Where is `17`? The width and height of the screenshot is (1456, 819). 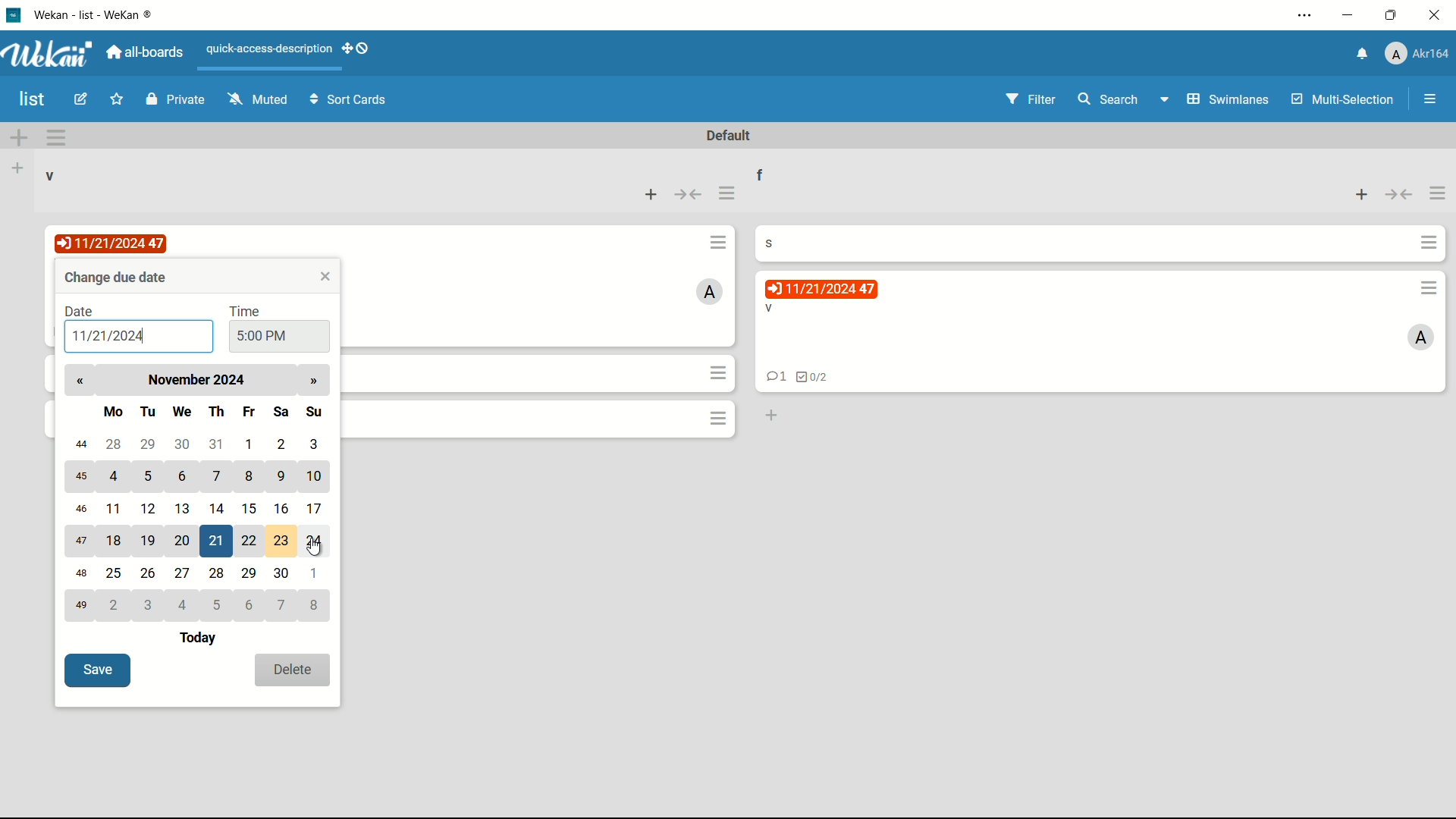 17 is located at coordinates (320, 509).